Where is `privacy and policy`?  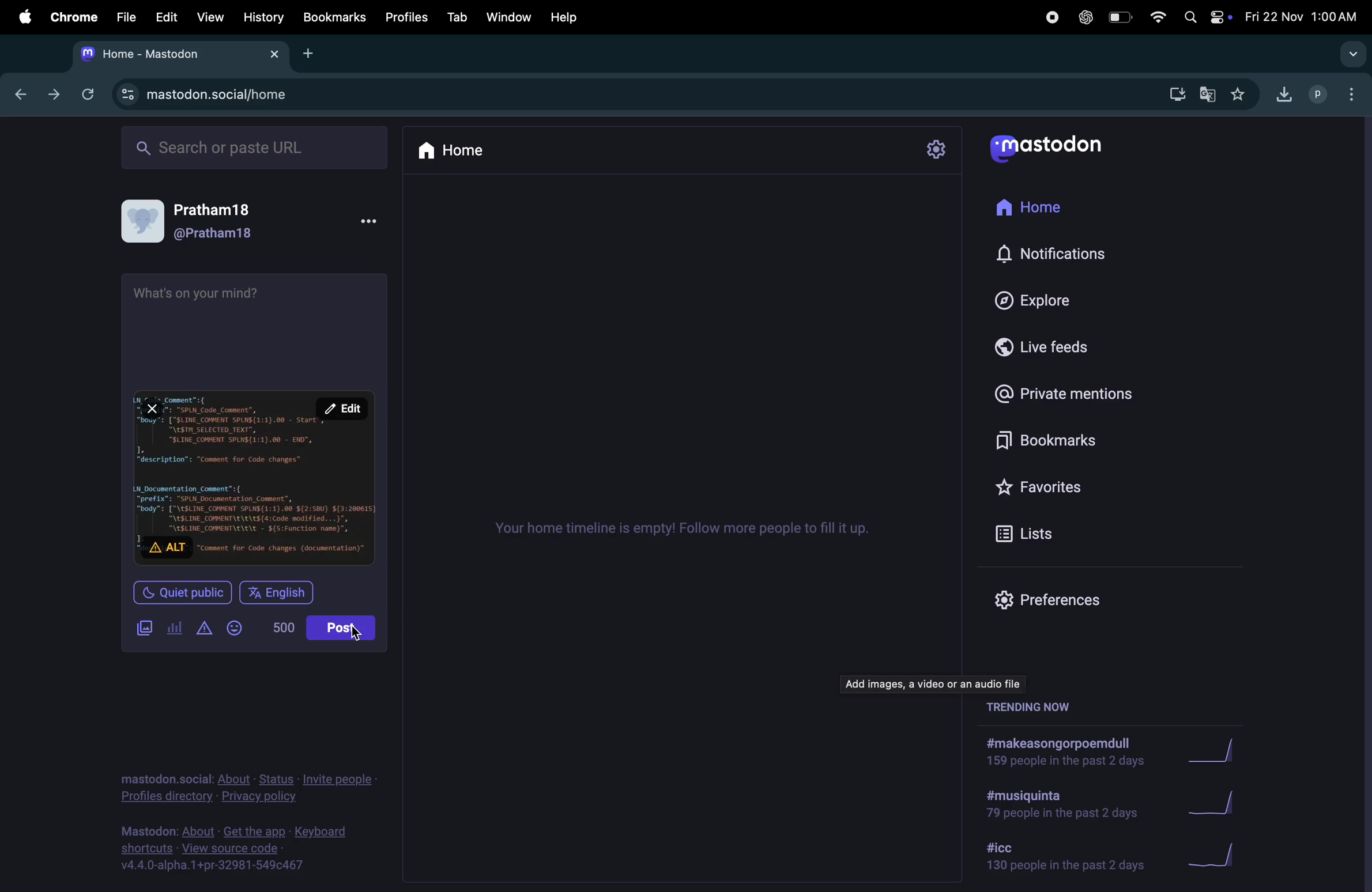 privacy and policy is located at coordinates (258, 797).